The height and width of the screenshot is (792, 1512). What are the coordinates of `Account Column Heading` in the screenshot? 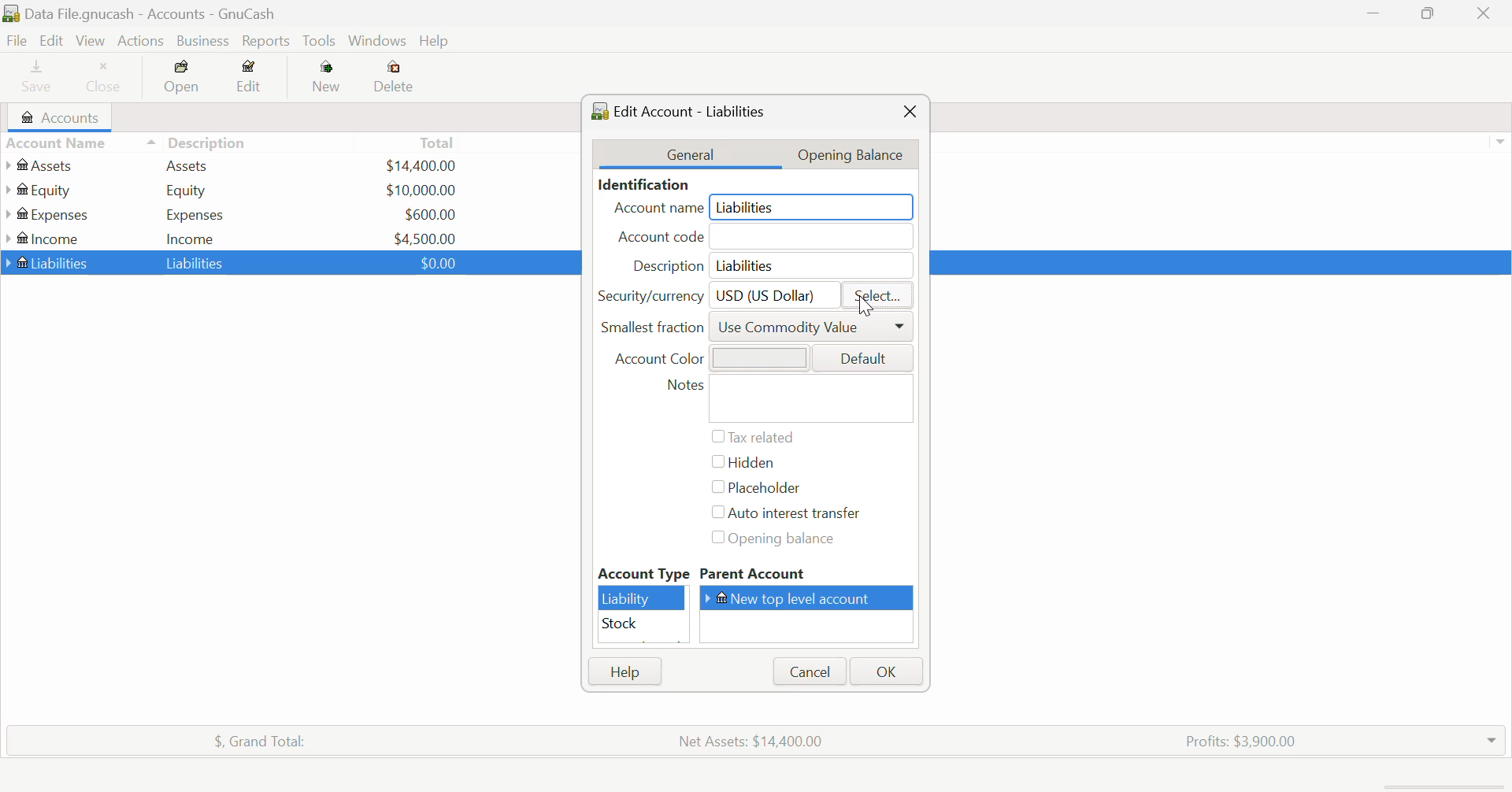 It's located at (60, 144).